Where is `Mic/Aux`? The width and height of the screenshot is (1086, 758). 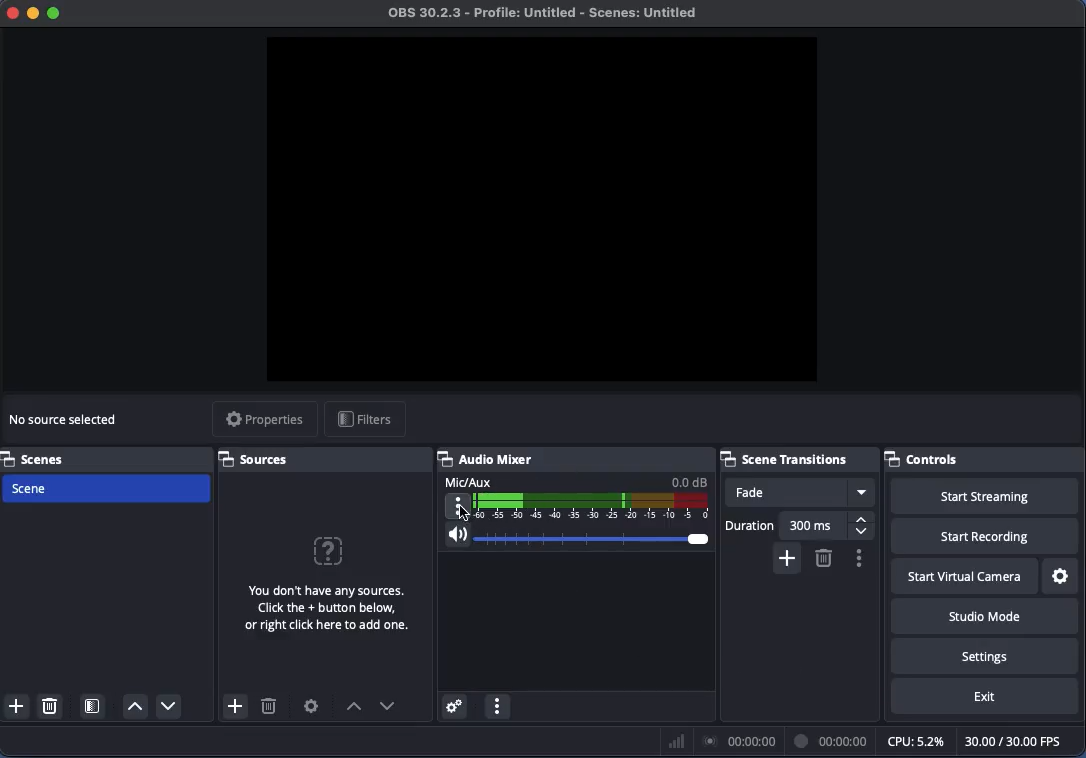 Mic/Aux is located at coordinates (595, 507).